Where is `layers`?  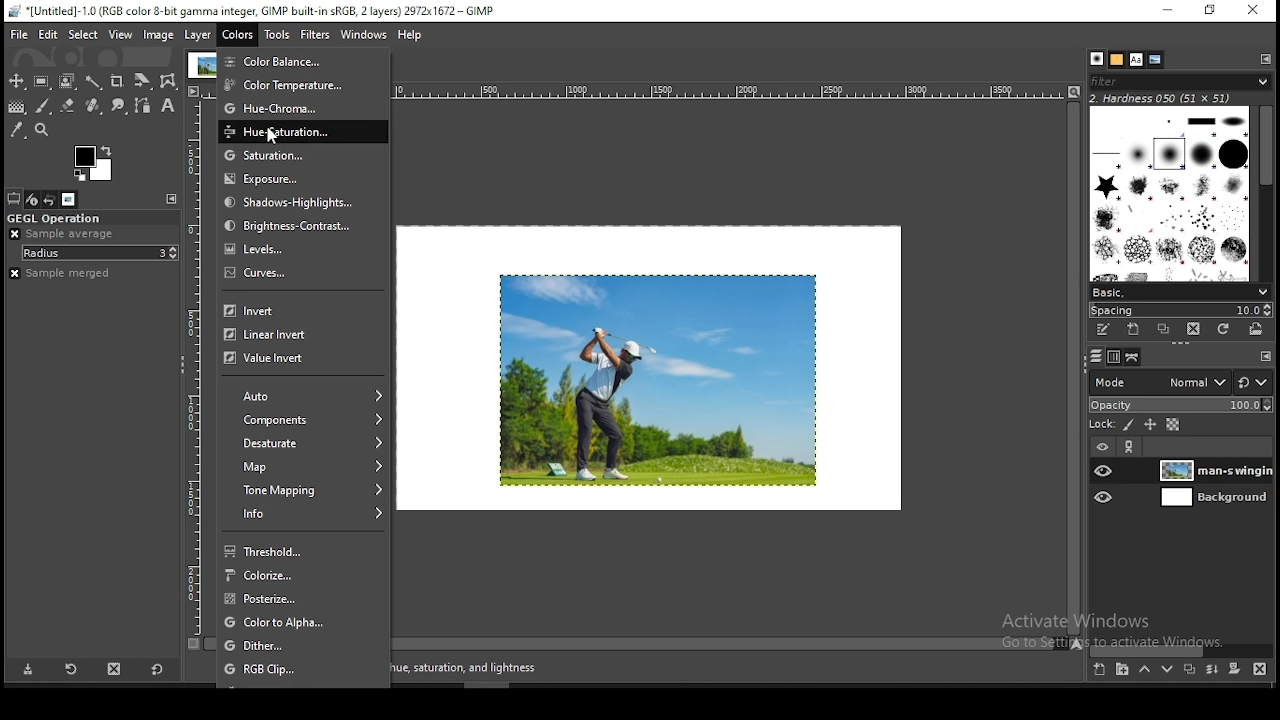 layers is located at coordinates (1093, 357).